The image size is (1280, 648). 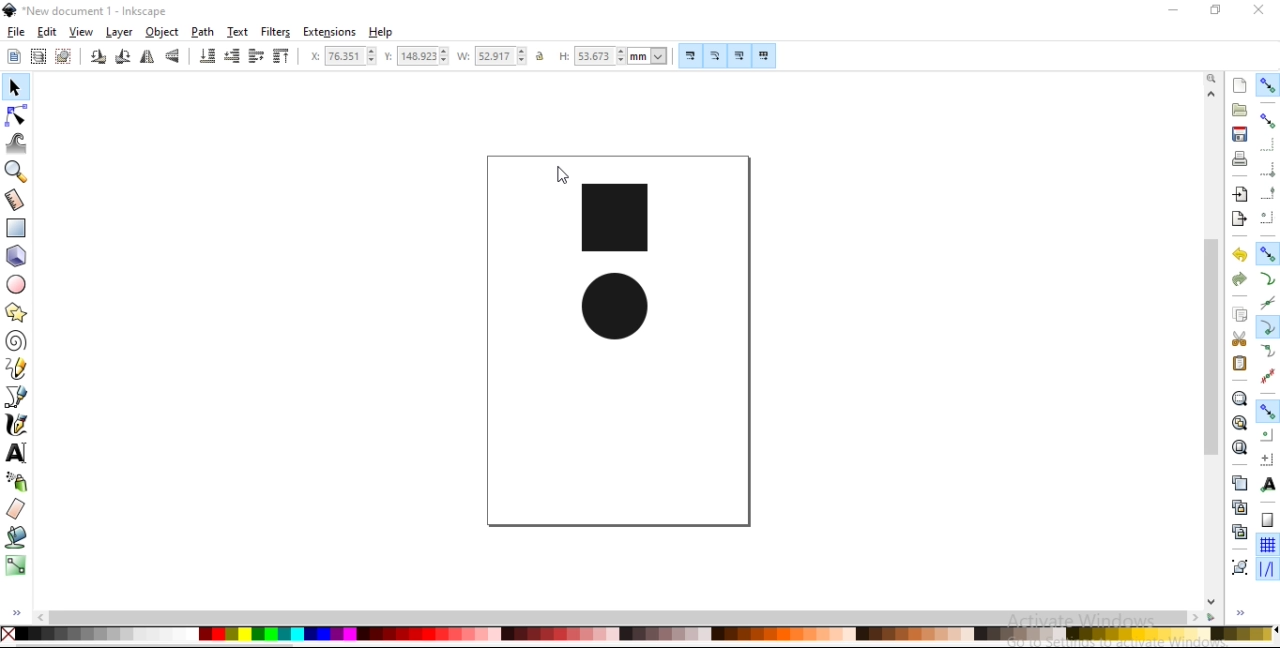 I want to click on edit, so click(x=47, y=32).